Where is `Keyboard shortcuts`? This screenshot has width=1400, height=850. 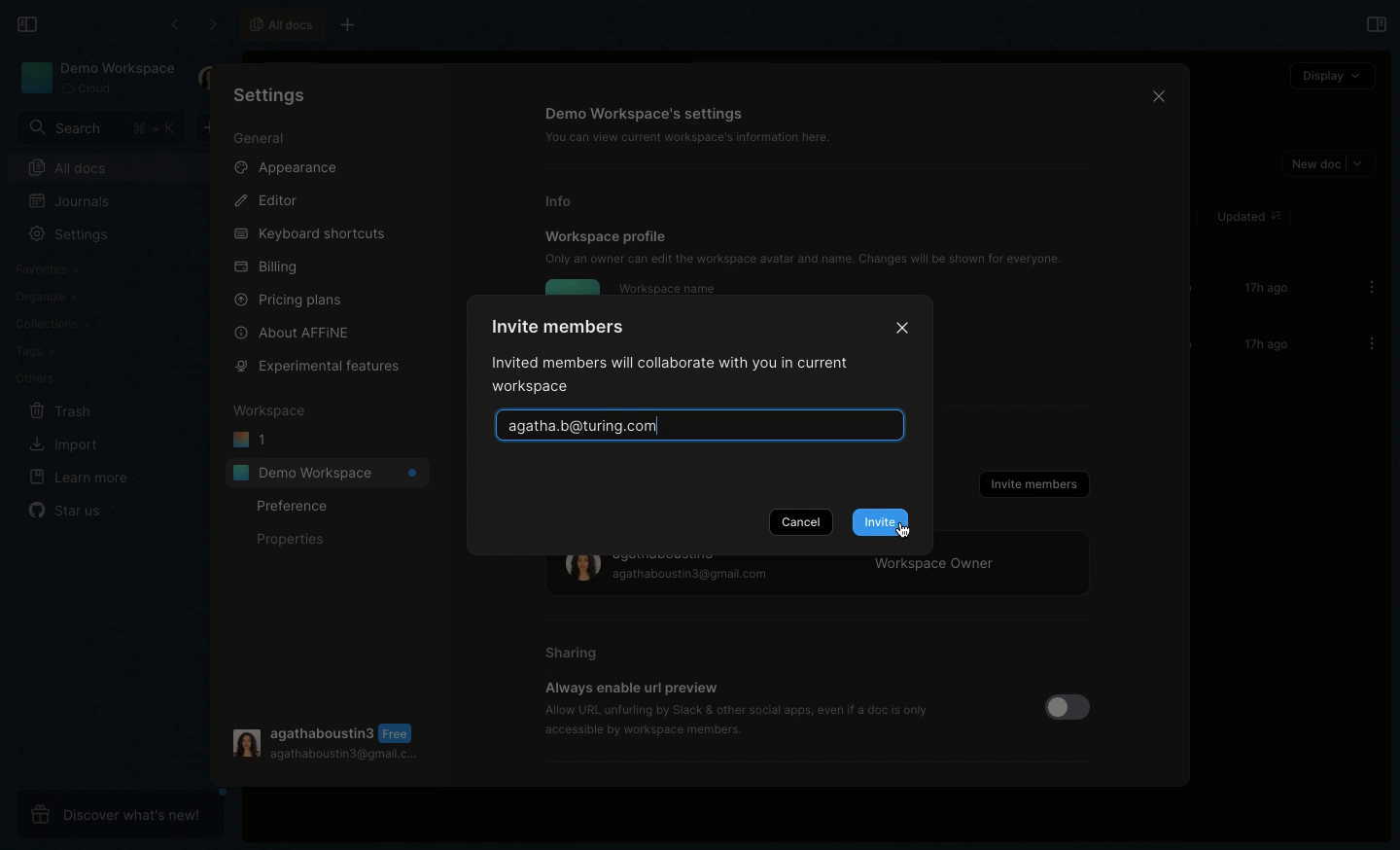 Keyboard shortcuts is located at coordinates (310, 230).